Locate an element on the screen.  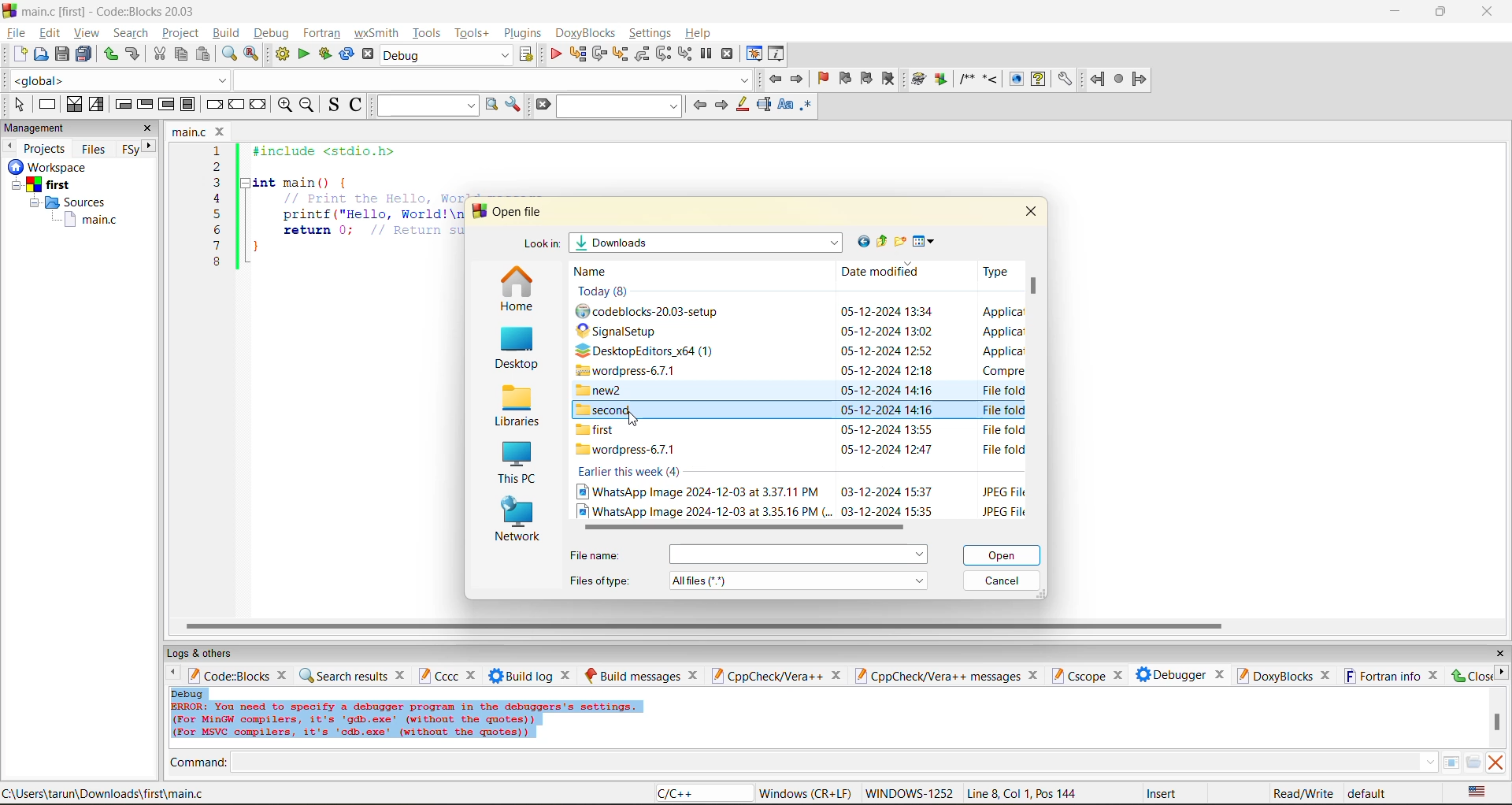
comment is located at coordinates (966, 79).